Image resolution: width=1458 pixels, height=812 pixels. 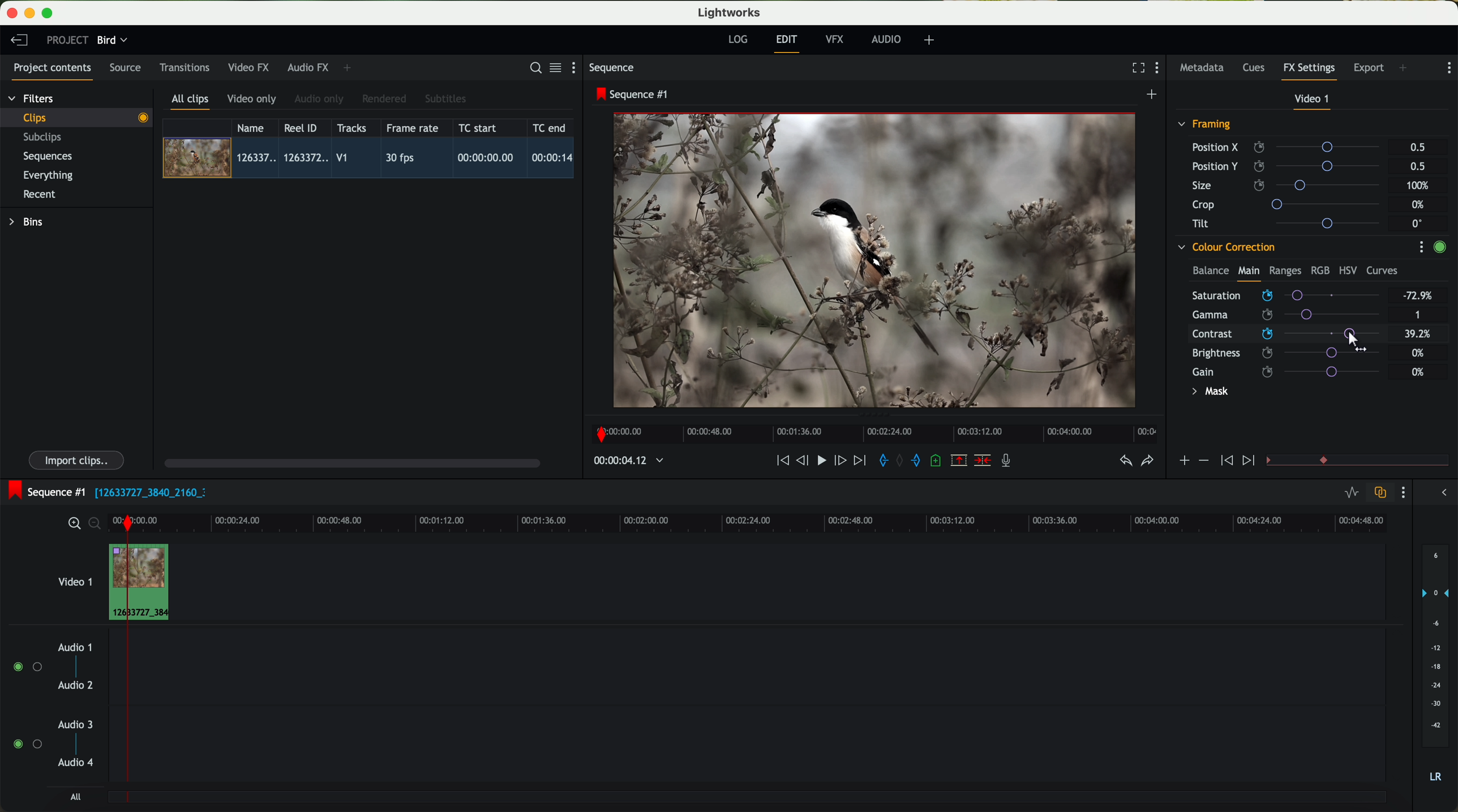 I want to click on mouse down, so click(x=1355, y=340).